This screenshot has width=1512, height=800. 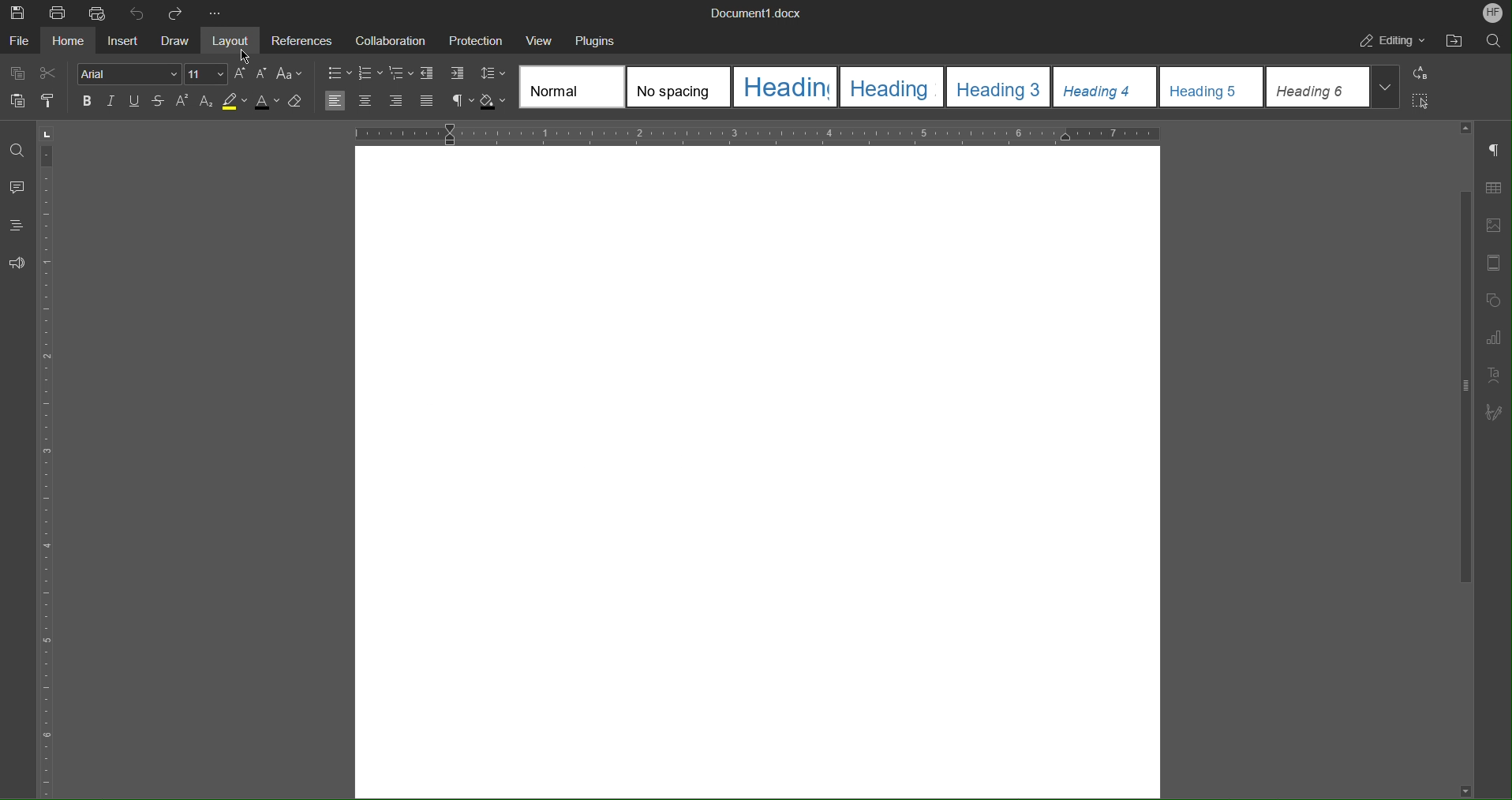 What do you see at coordinates (890, 87) in the screenshot?
I see `Heading 2` at bounding box center [890, 87].